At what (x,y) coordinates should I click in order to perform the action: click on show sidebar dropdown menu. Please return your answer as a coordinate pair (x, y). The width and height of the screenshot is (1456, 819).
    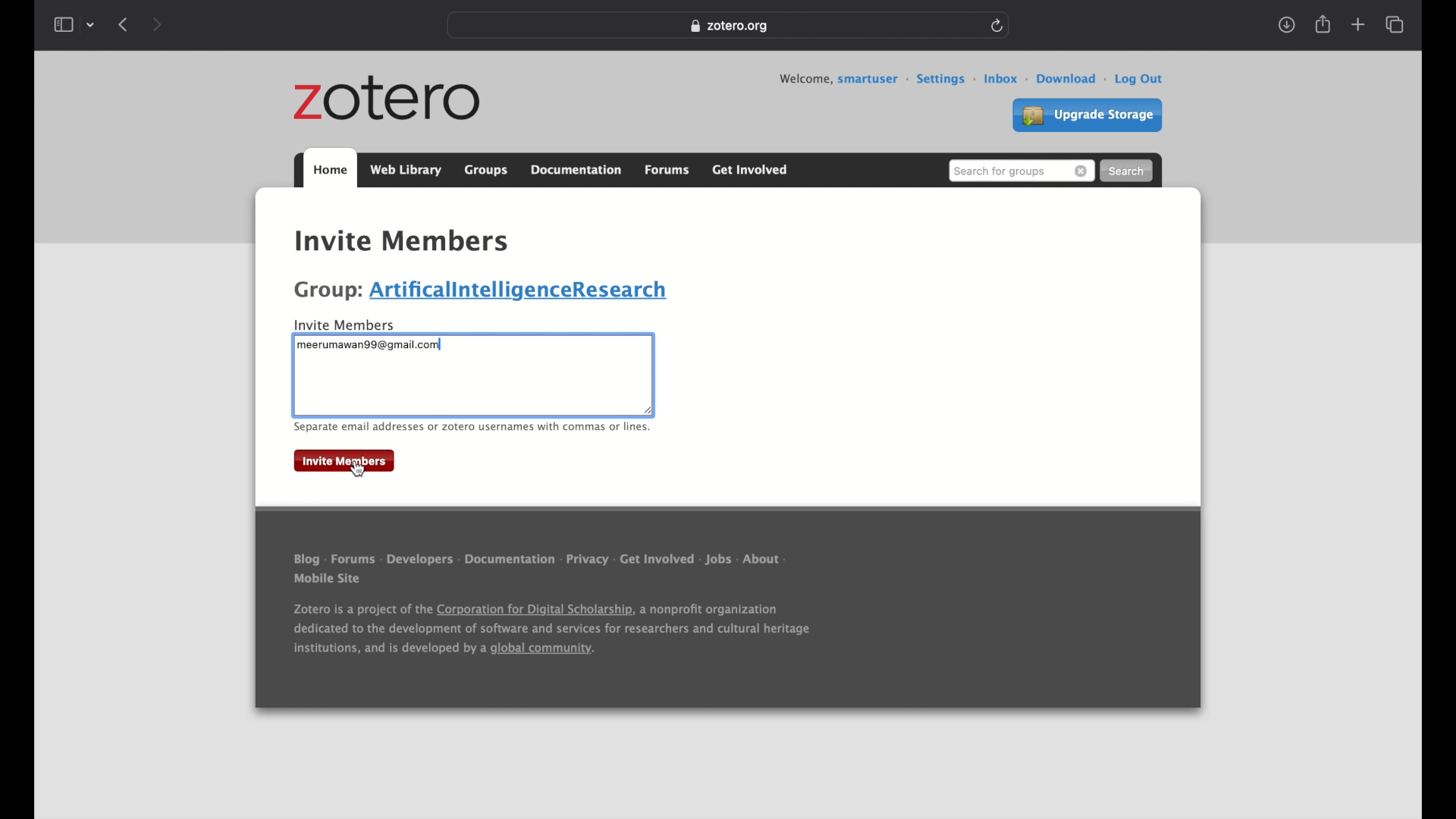
    Looking at the image, I should click on (74, 25).